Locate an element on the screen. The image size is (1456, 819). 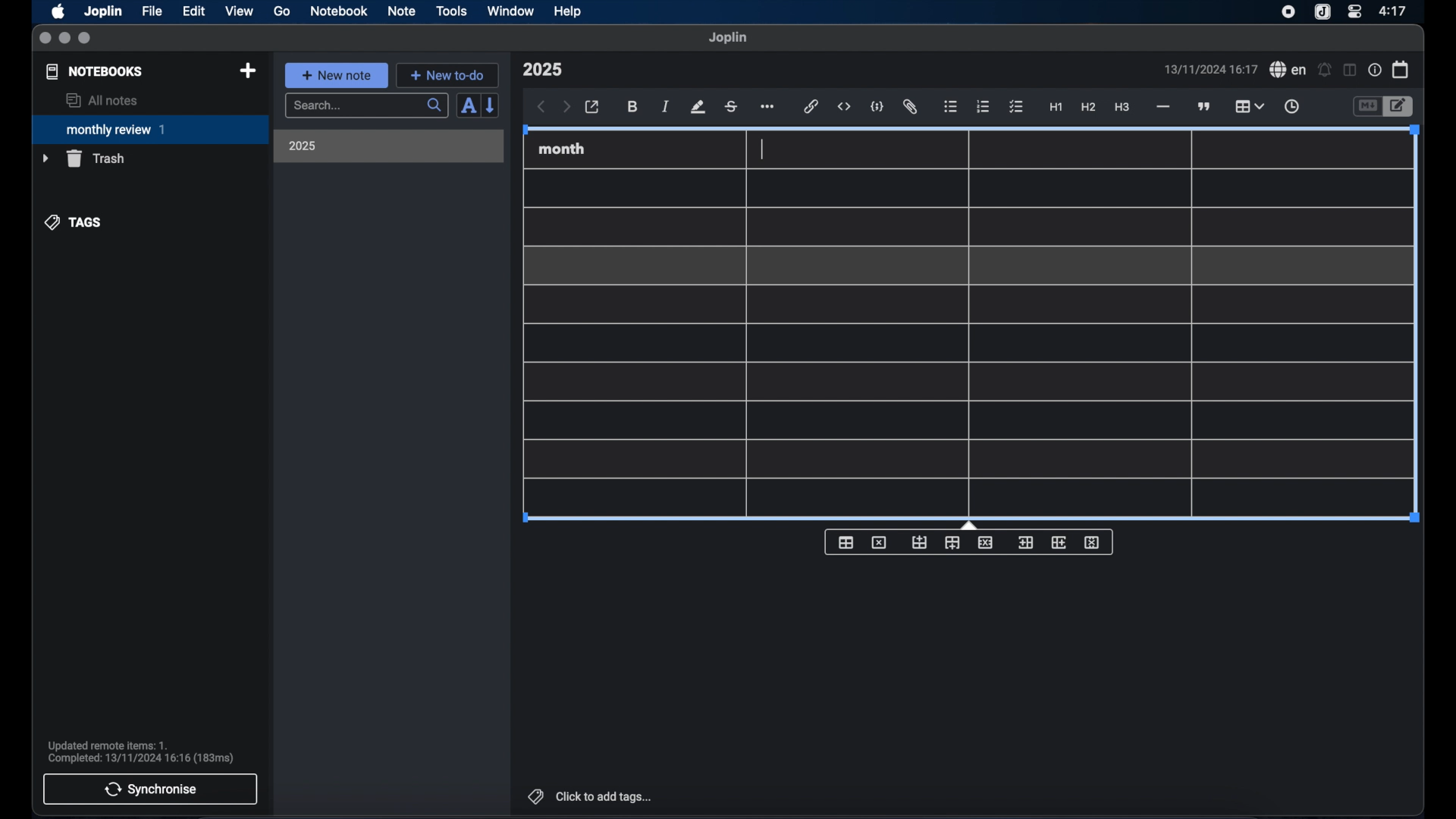
heading 3 is located at coordinates (1122, 108).